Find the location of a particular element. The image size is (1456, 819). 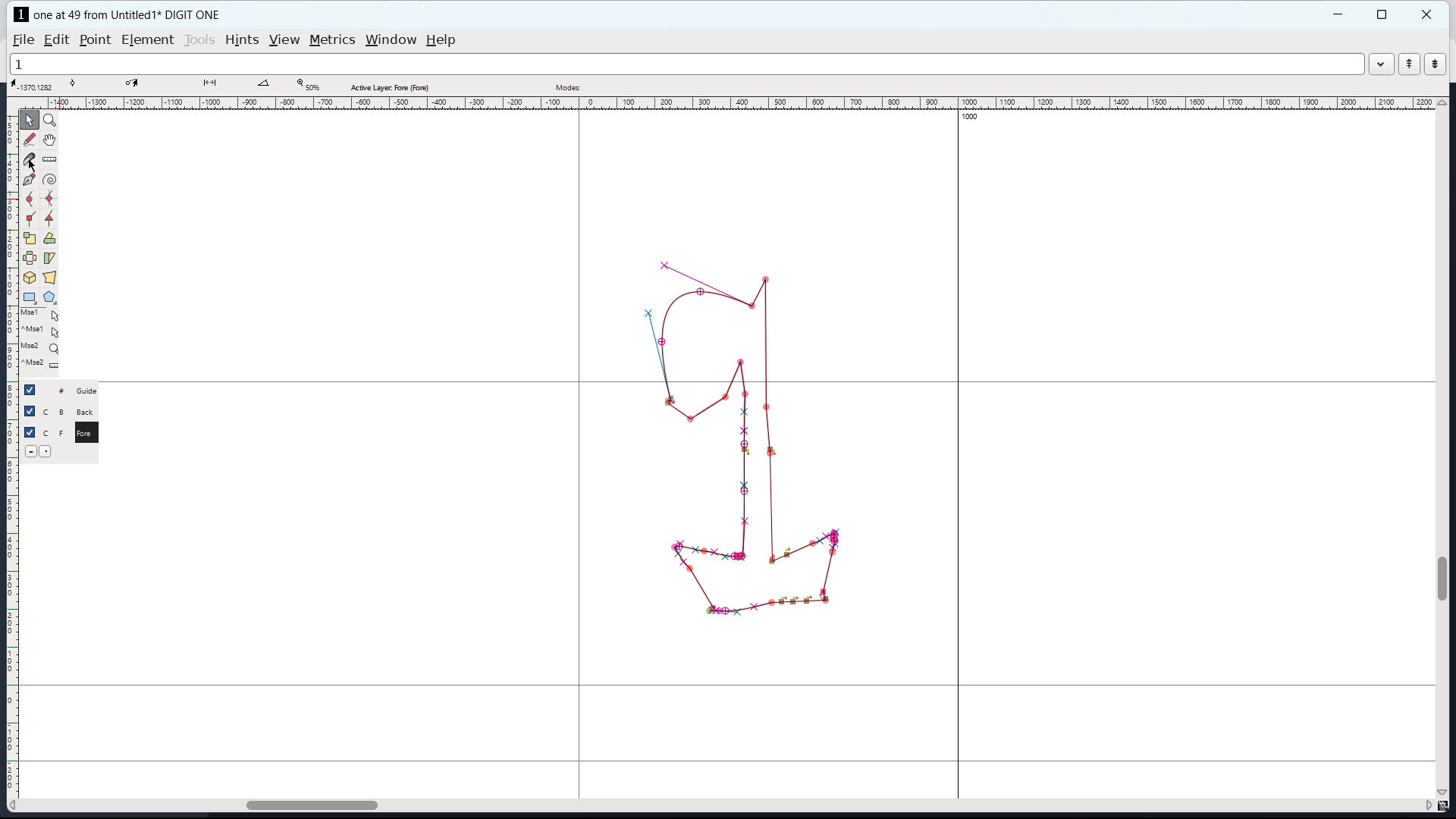

add new layer is located at coordinates (48, 450).